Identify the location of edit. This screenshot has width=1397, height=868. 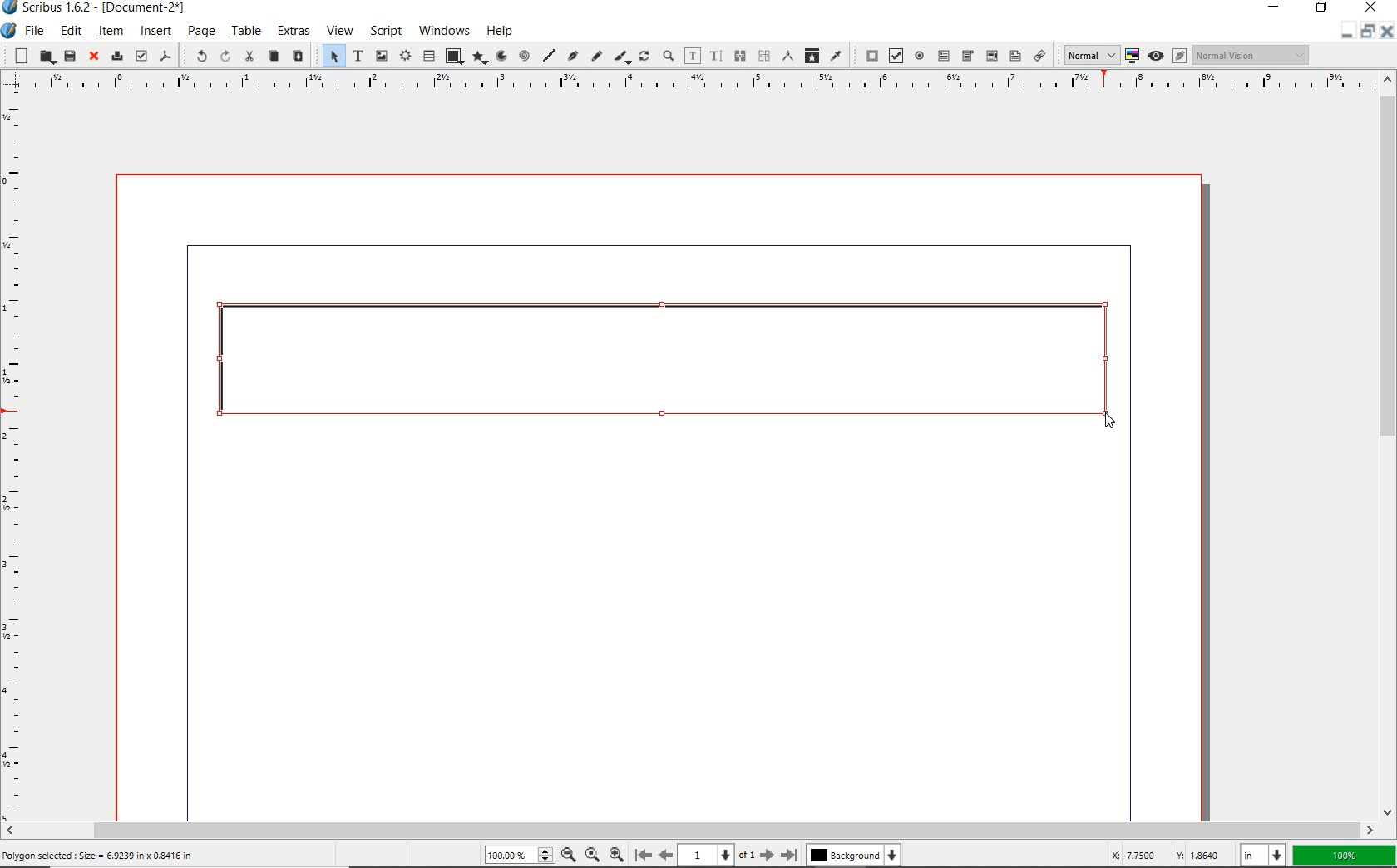
(72, 31).